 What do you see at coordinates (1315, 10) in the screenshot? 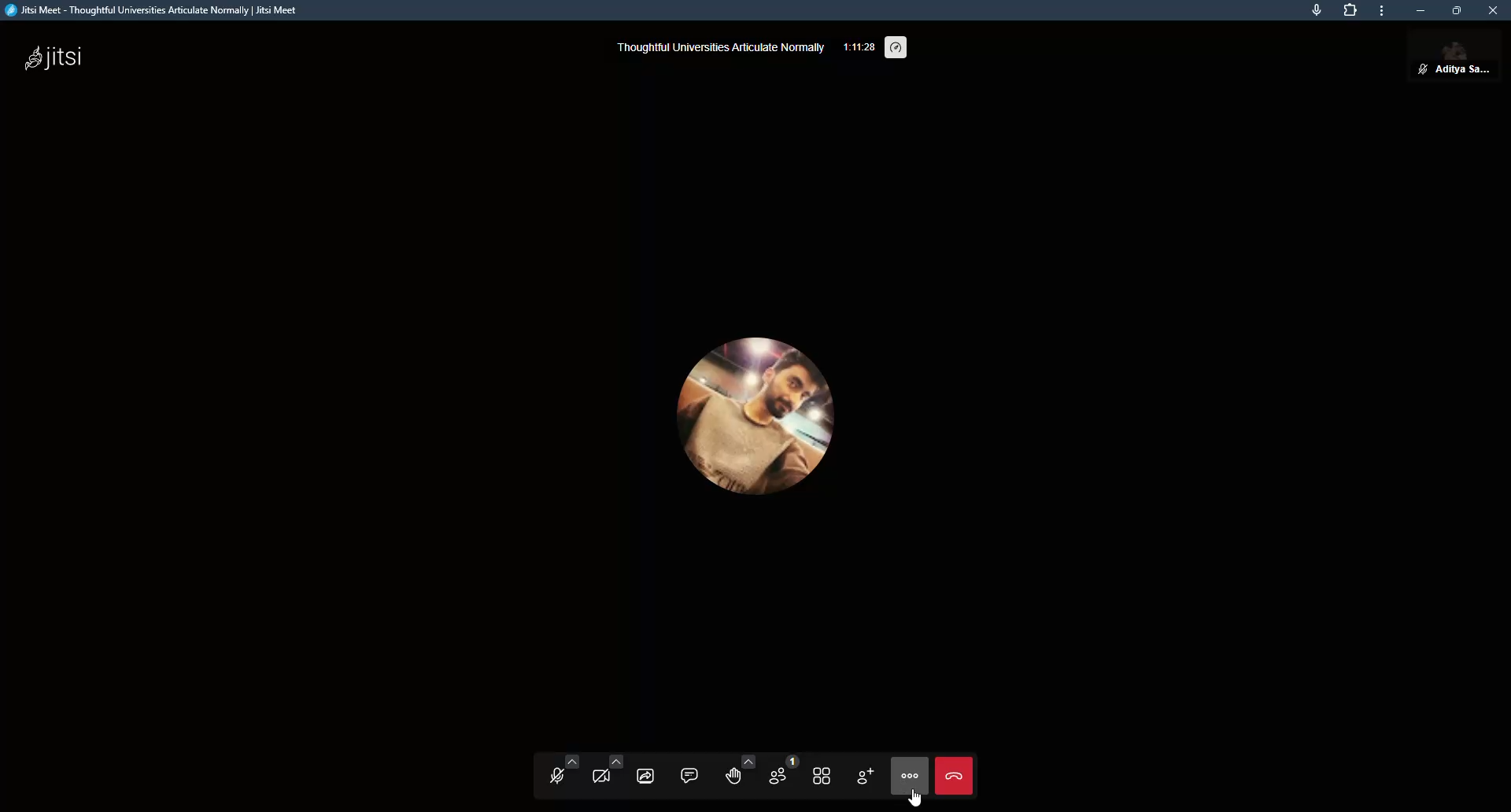
I see `mic` at bounding box center [1315, 10].